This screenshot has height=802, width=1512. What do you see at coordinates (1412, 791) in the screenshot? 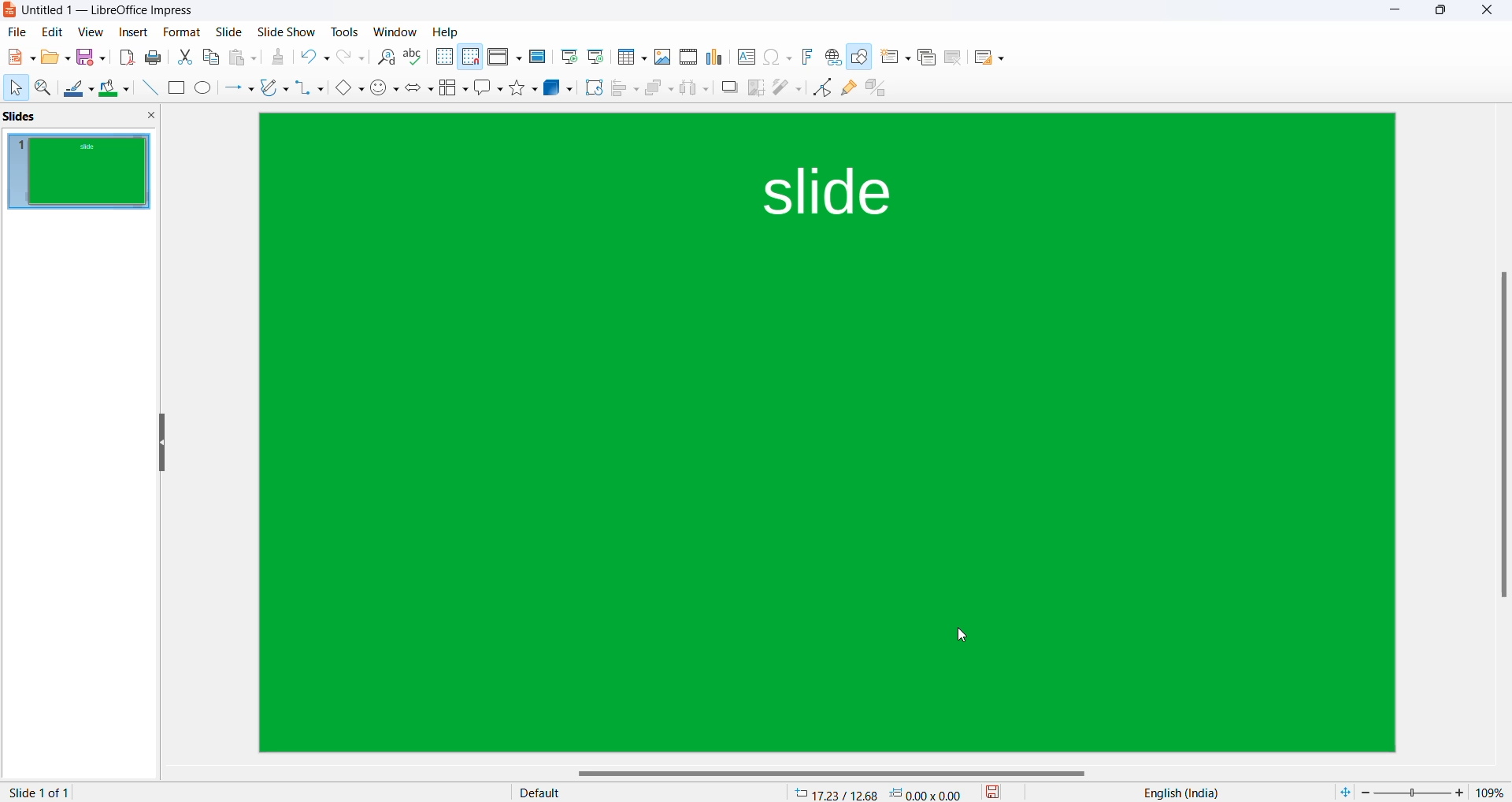
I see `zoom slider` at bounding box center [1412, 791].